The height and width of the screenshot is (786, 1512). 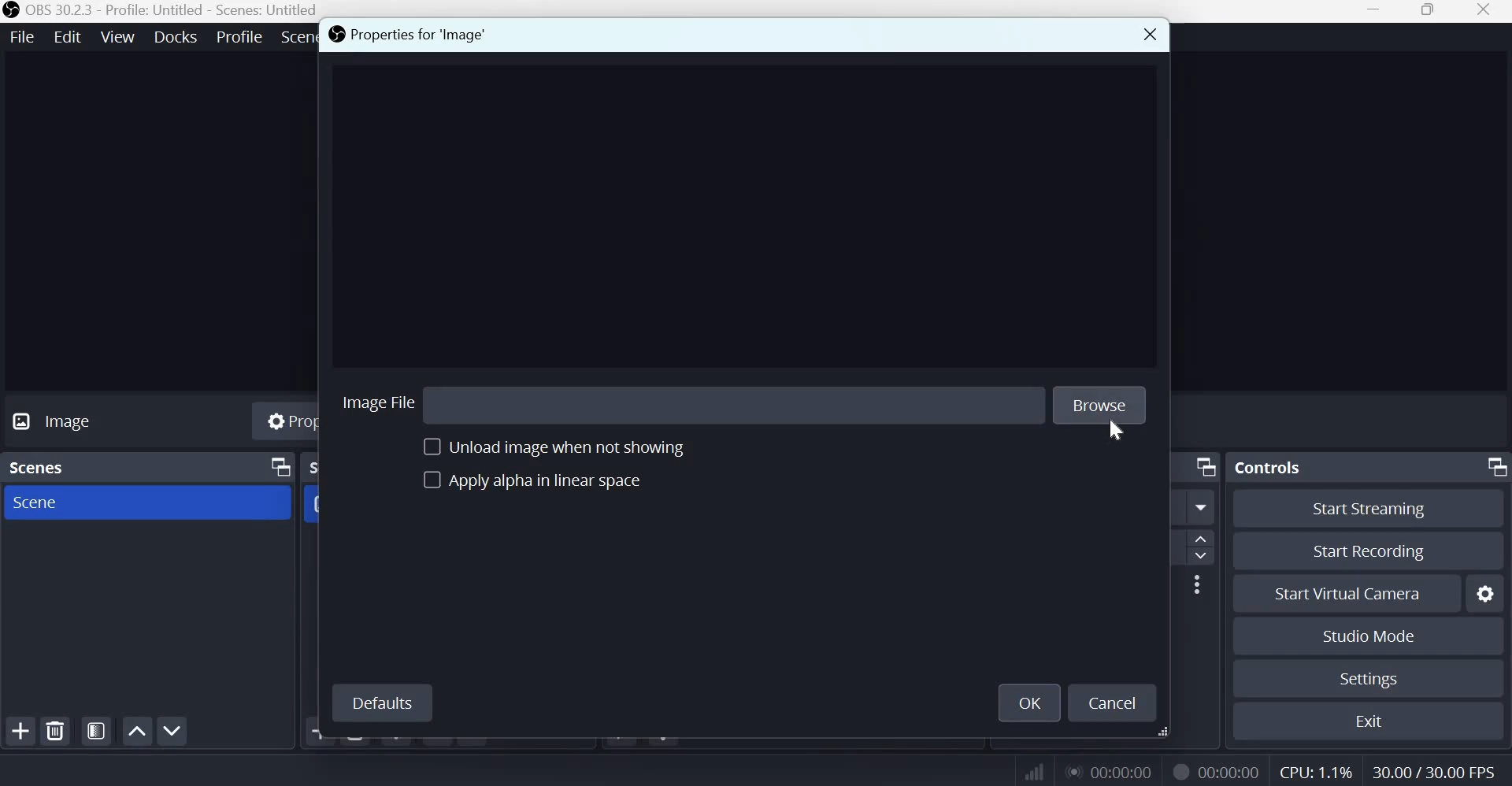 What do you see at coordinates (23, 36) in the screenshot?
I see `file` at bounding box center [23, 36].